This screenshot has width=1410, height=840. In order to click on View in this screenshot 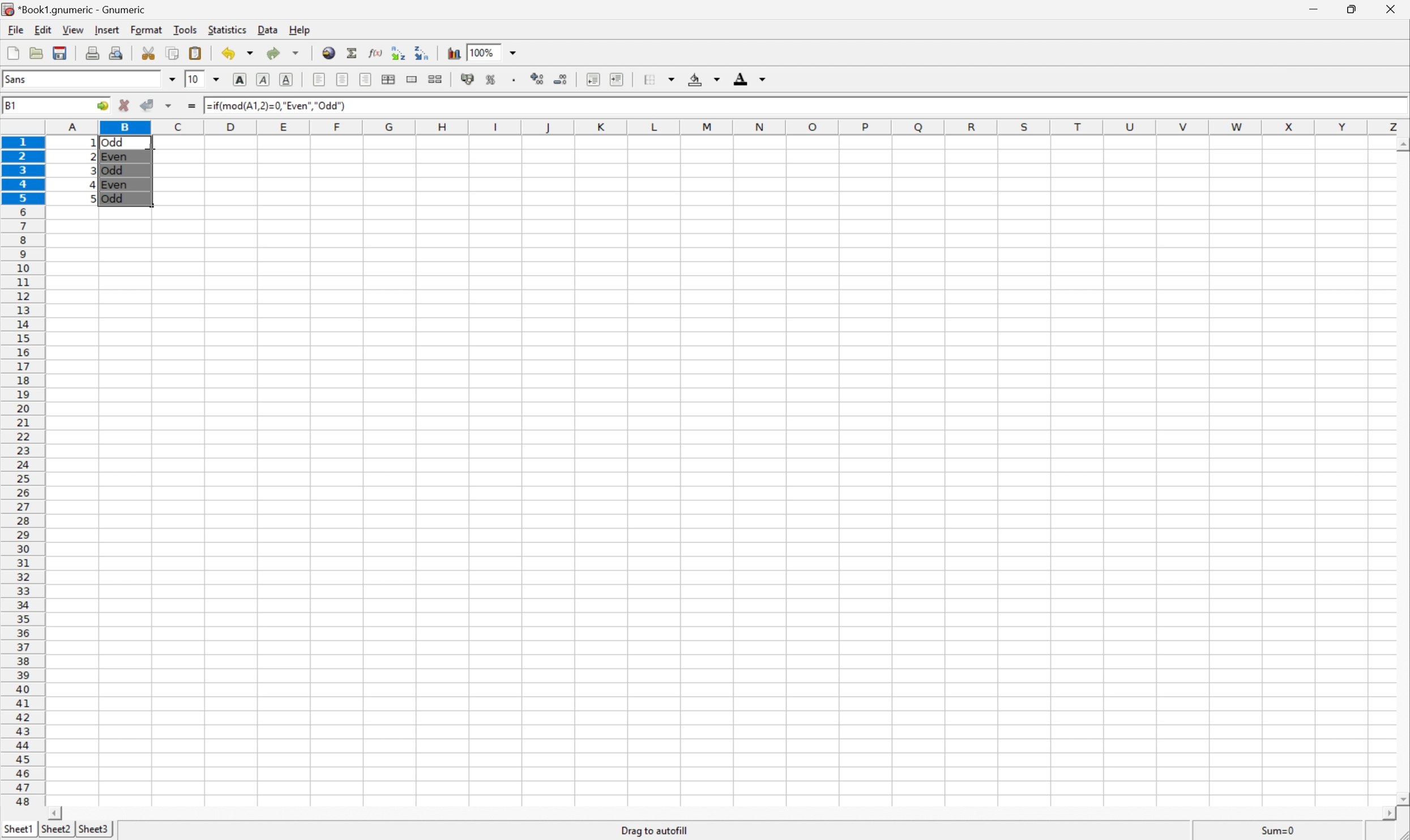, I will do `click(73, 29)`.